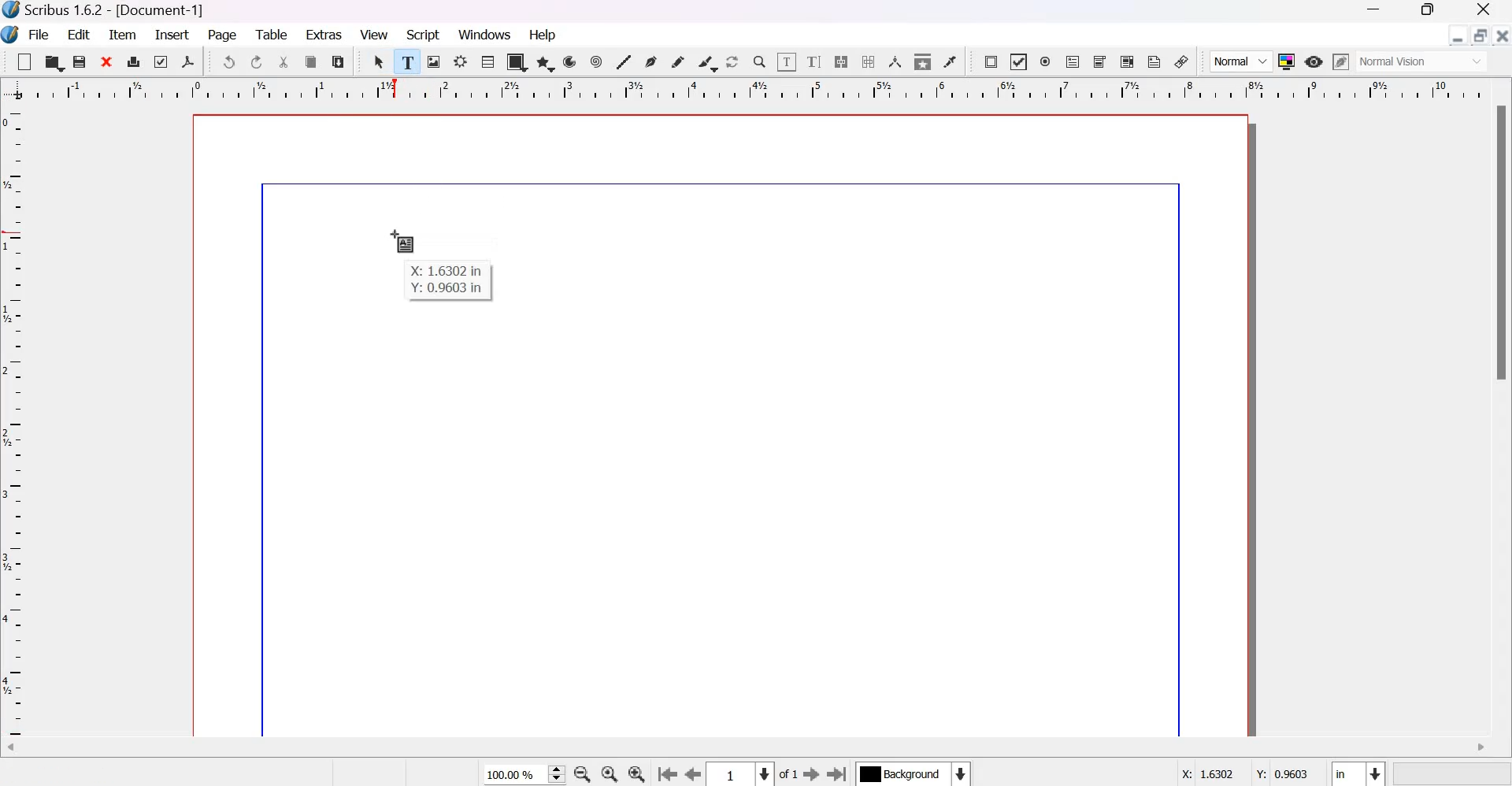 The height and width of the screenshot is (786, 1512). What do you see at coordinates (324, 33) in the screenshot?
I see `Extras` at bounding box center [324, 33].